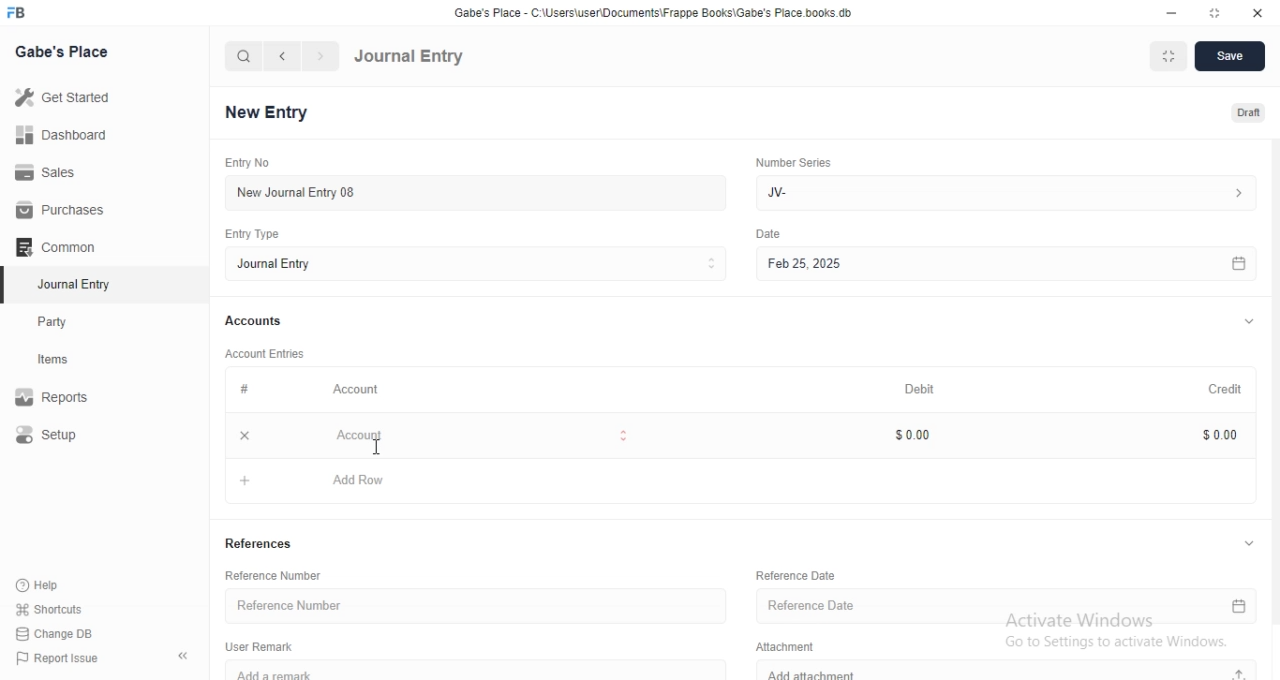 The width and height of the screenshot is (1280, 680). Describe the element at coordinates (183, 657) in the screenshot. I see `collapse sidebar` at that location.